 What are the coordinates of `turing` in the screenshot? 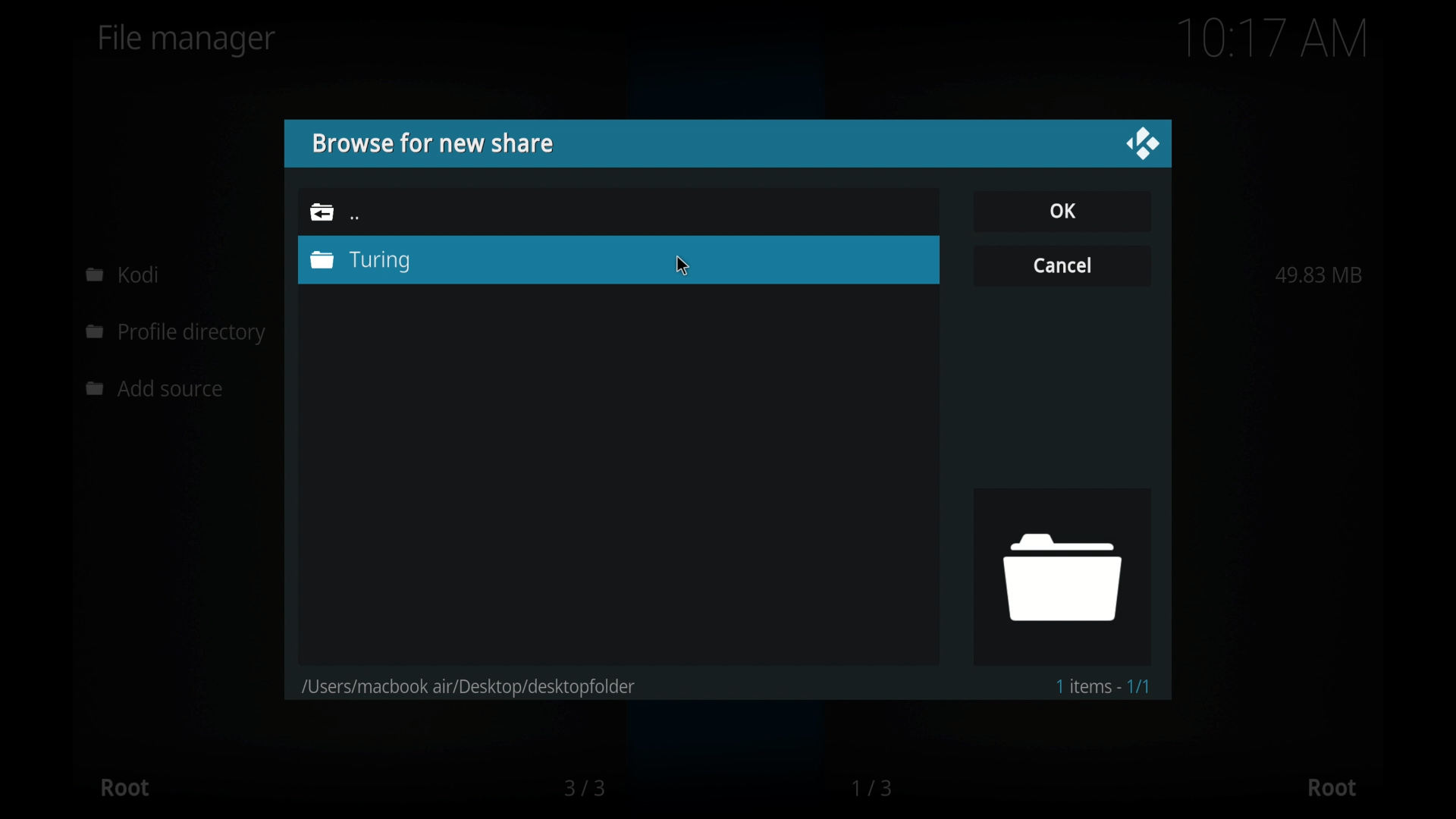 It's located at (392, 260).